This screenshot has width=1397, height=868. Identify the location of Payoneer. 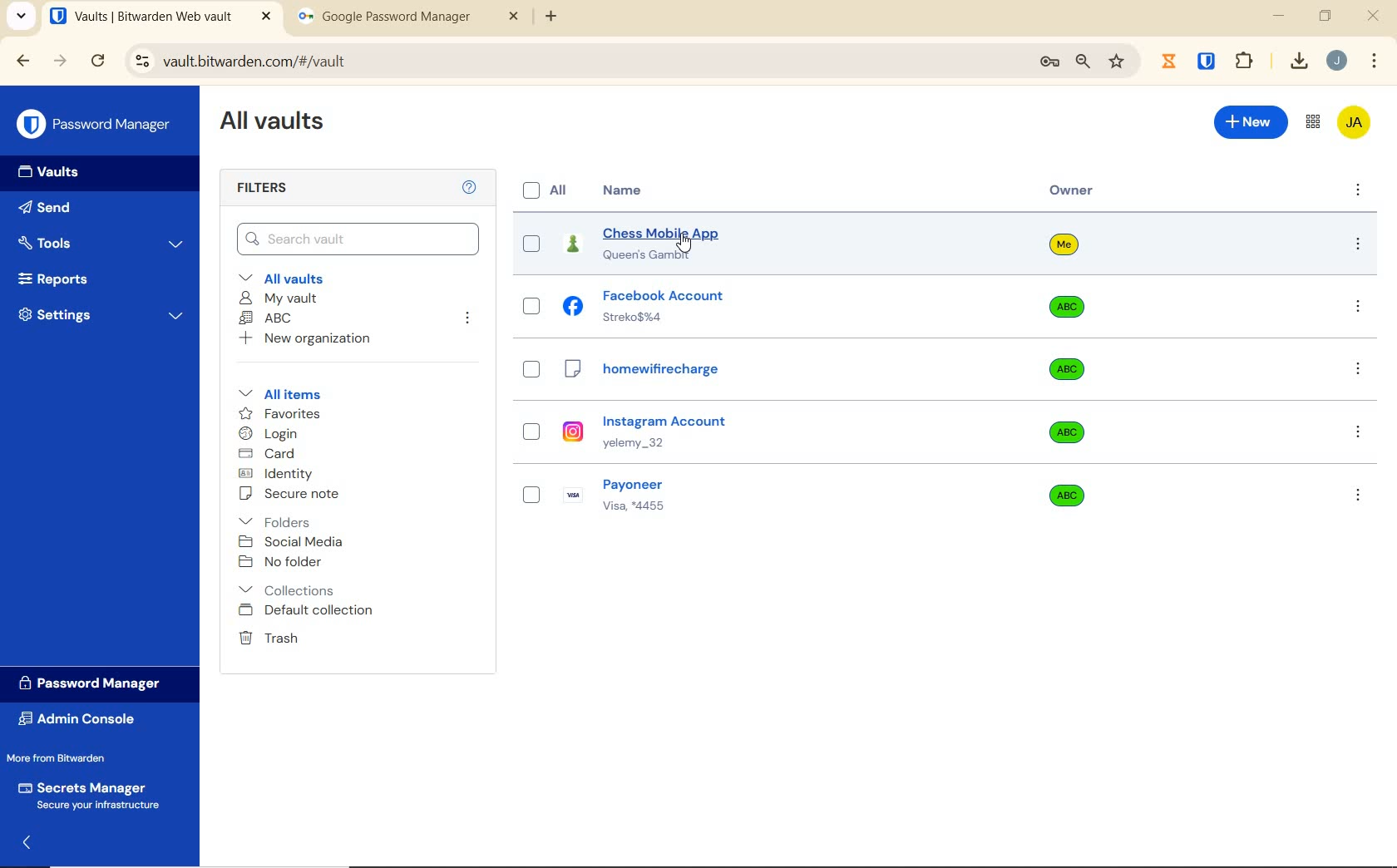
(646, 484).